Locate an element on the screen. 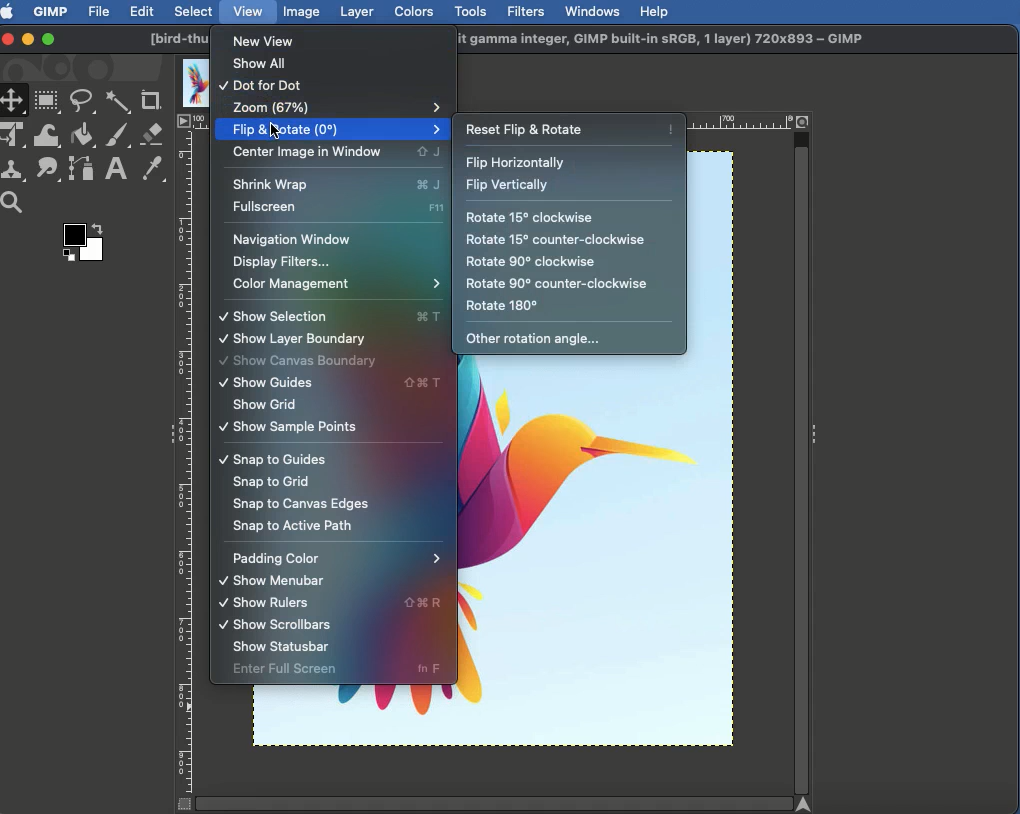  Rotate 15 clockwise is located at coordinates (531, 219).